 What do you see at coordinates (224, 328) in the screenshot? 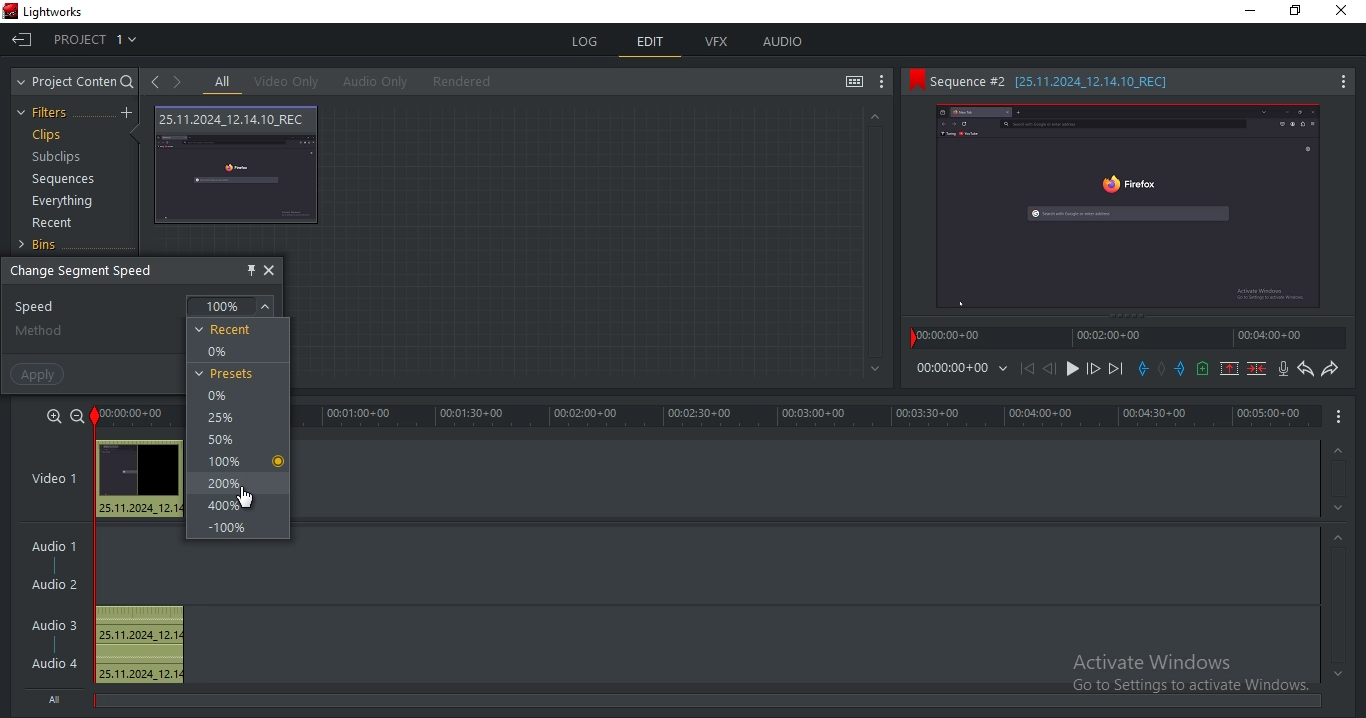
I see `recent` at bounding box center [224, 328].